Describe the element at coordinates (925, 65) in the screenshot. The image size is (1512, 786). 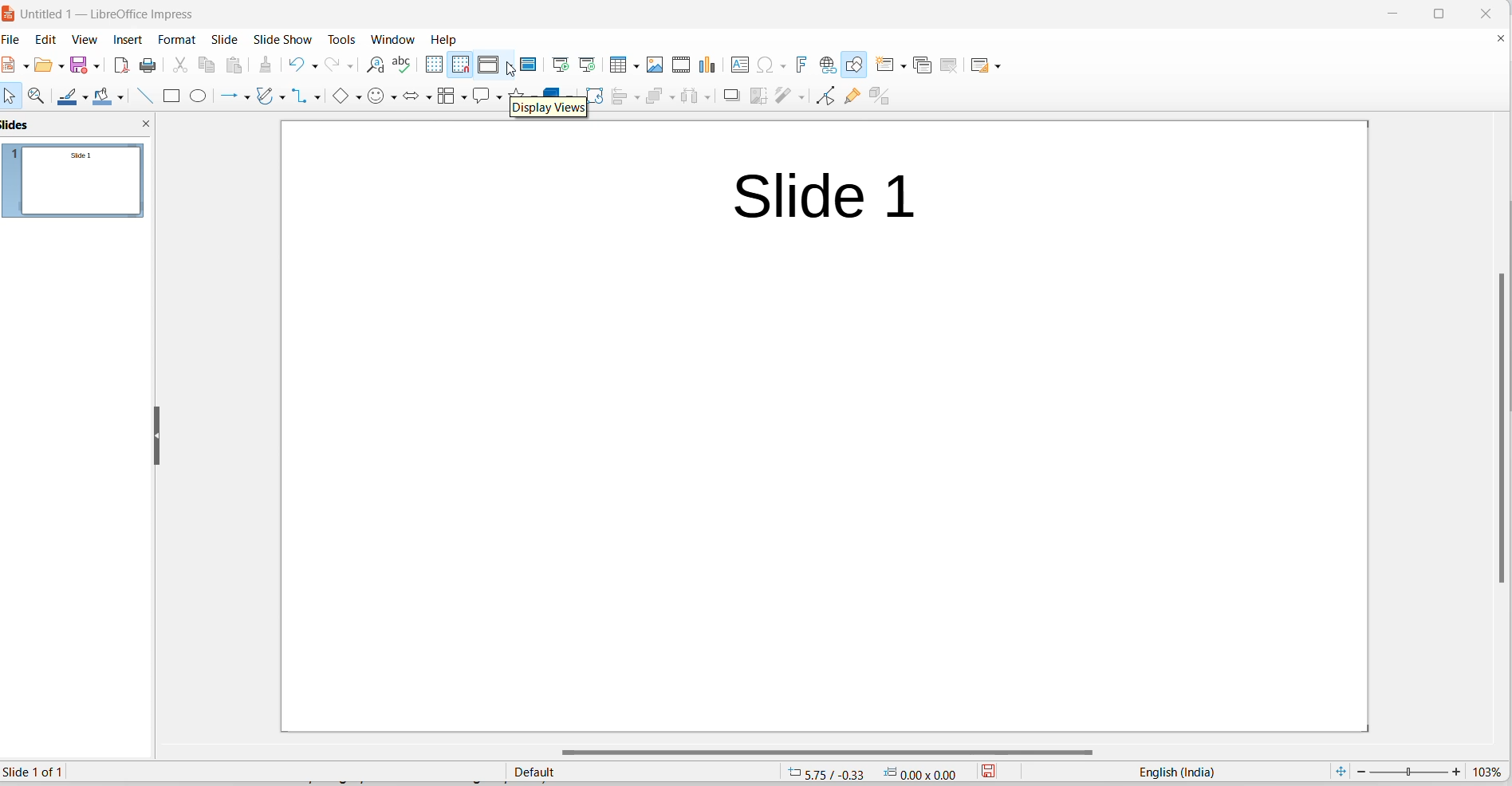
I see `duplicate slide` at that location.